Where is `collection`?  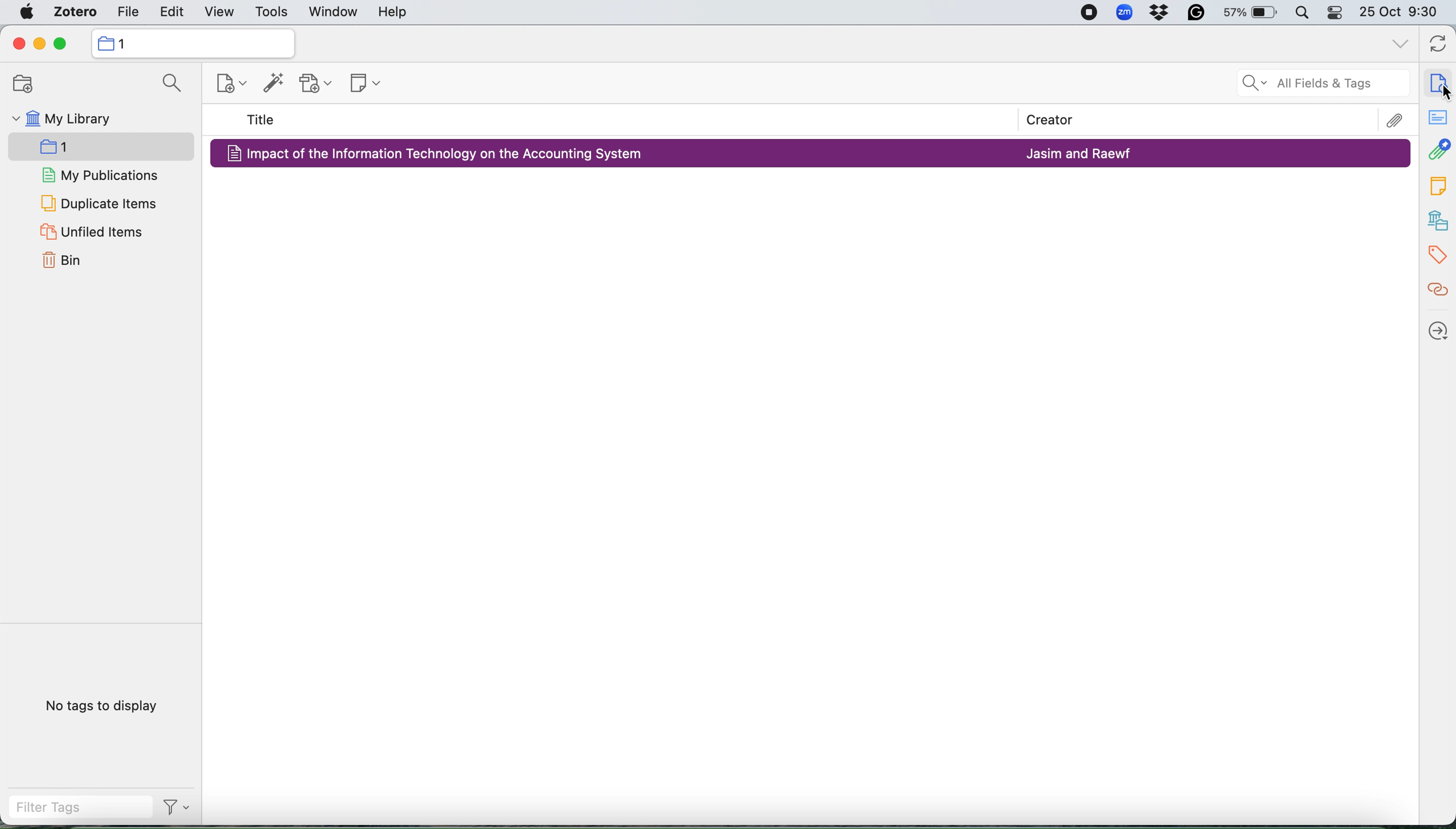 collection is located at coordinates (77, 145).